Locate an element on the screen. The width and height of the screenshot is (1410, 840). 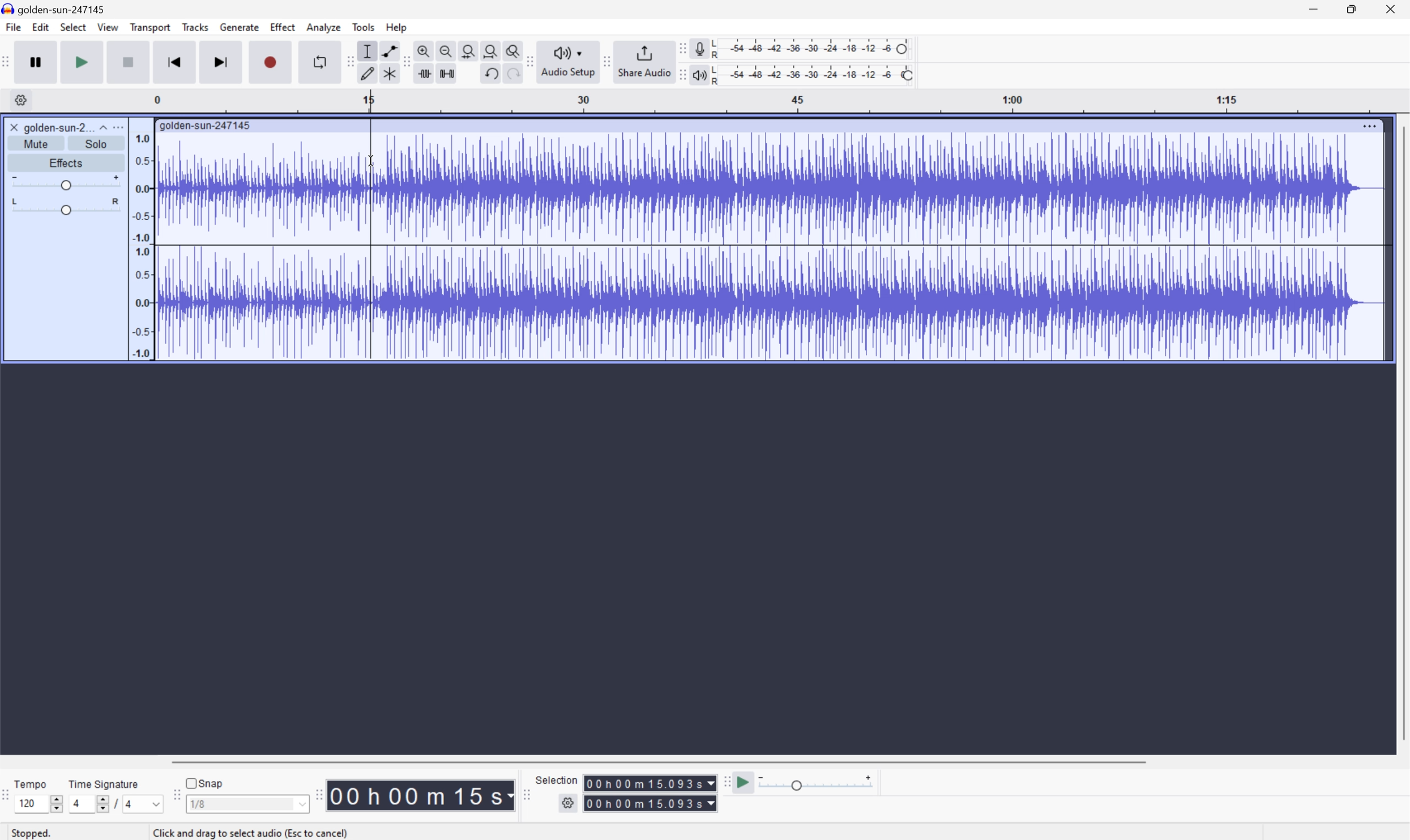
Audacity Snapping toolbar is located at coordinates (174, 799).